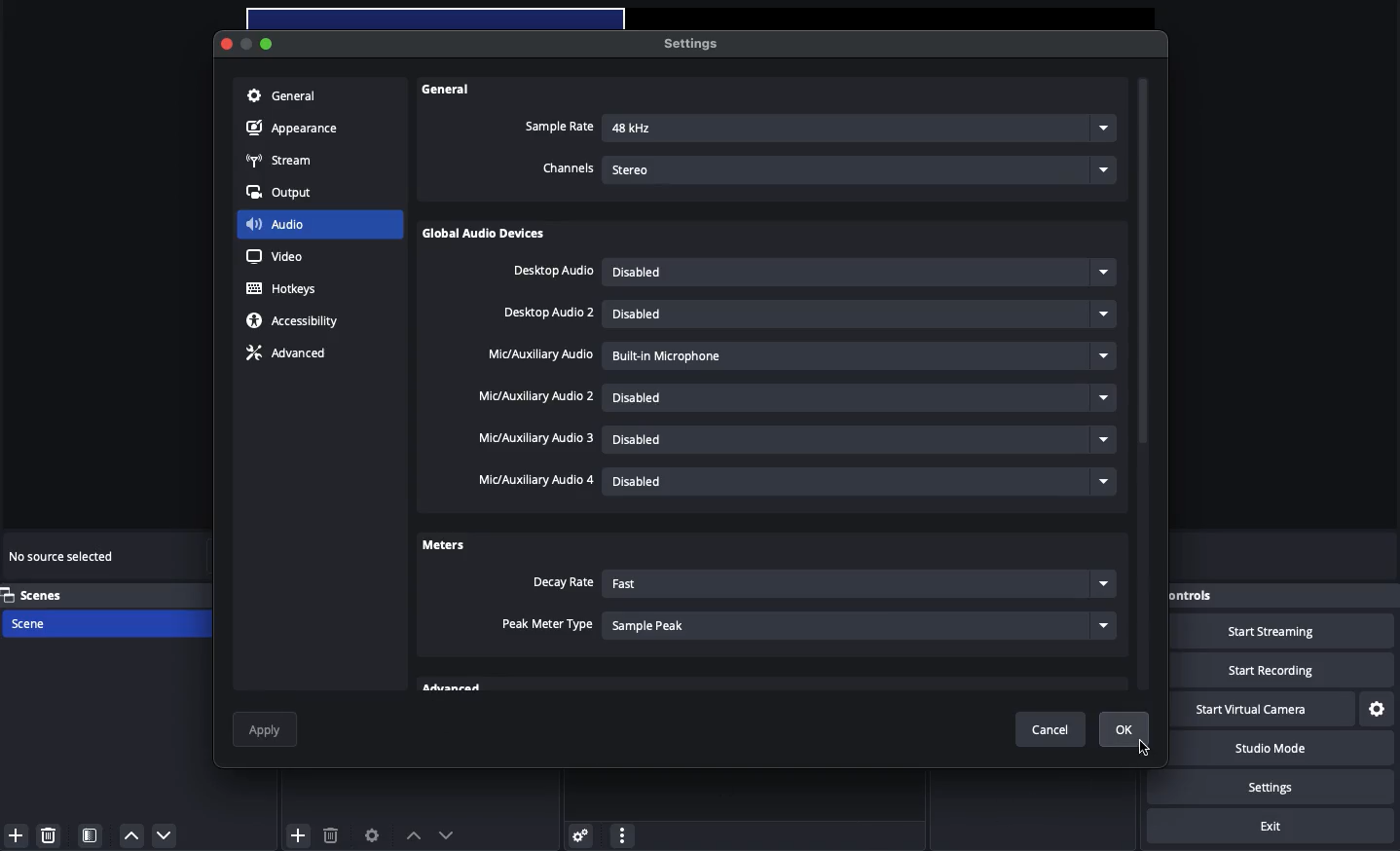 Image resolution: width=1400 pixels, height=851 pixels. Describe the element at coordinates (863, 314) in the screenshot. I see `Disabled` at that location.